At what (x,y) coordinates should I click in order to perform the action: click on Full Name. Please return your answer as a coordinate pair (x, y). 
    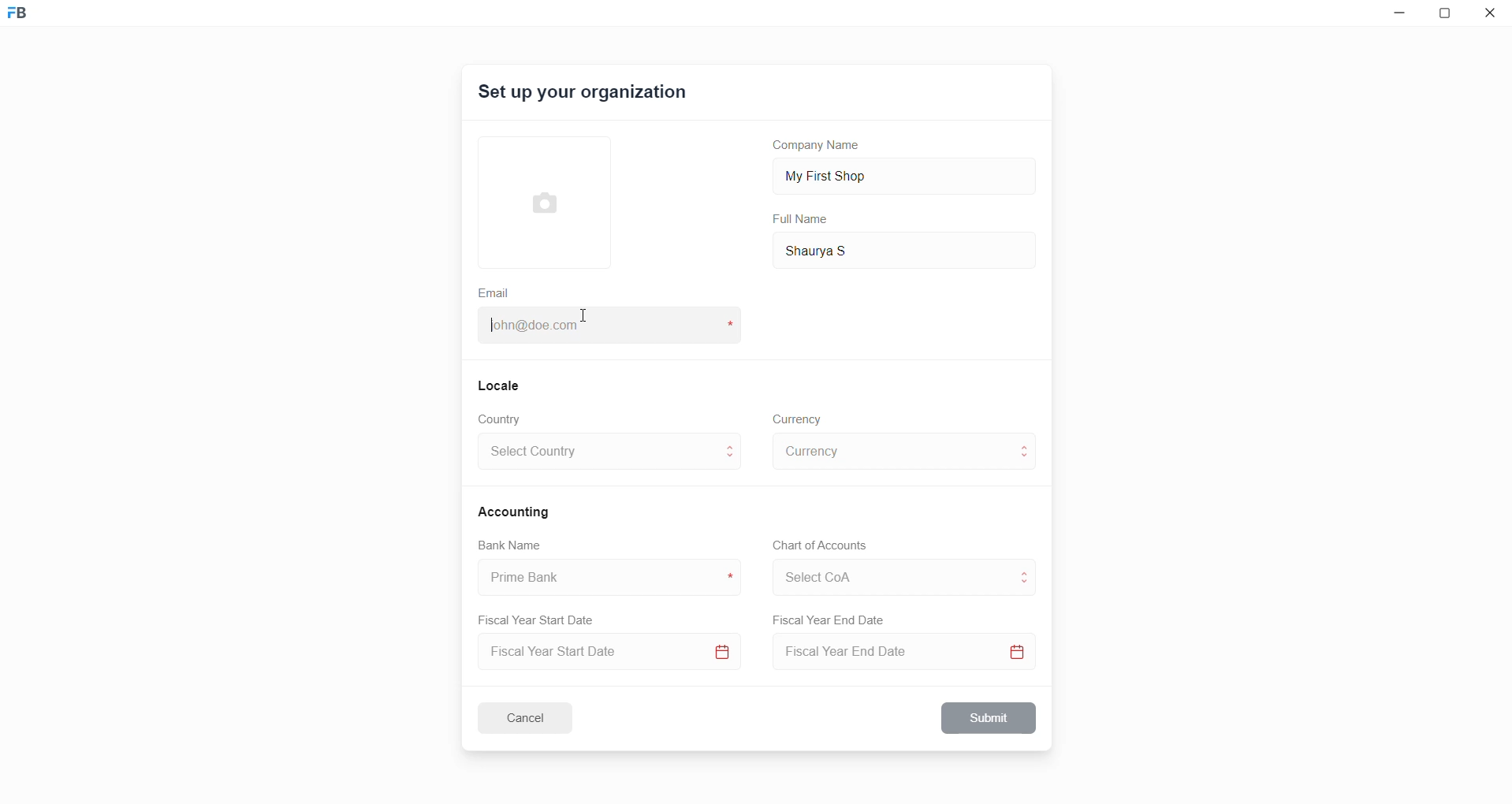
    Looking at the image, I should click on (802, 219).